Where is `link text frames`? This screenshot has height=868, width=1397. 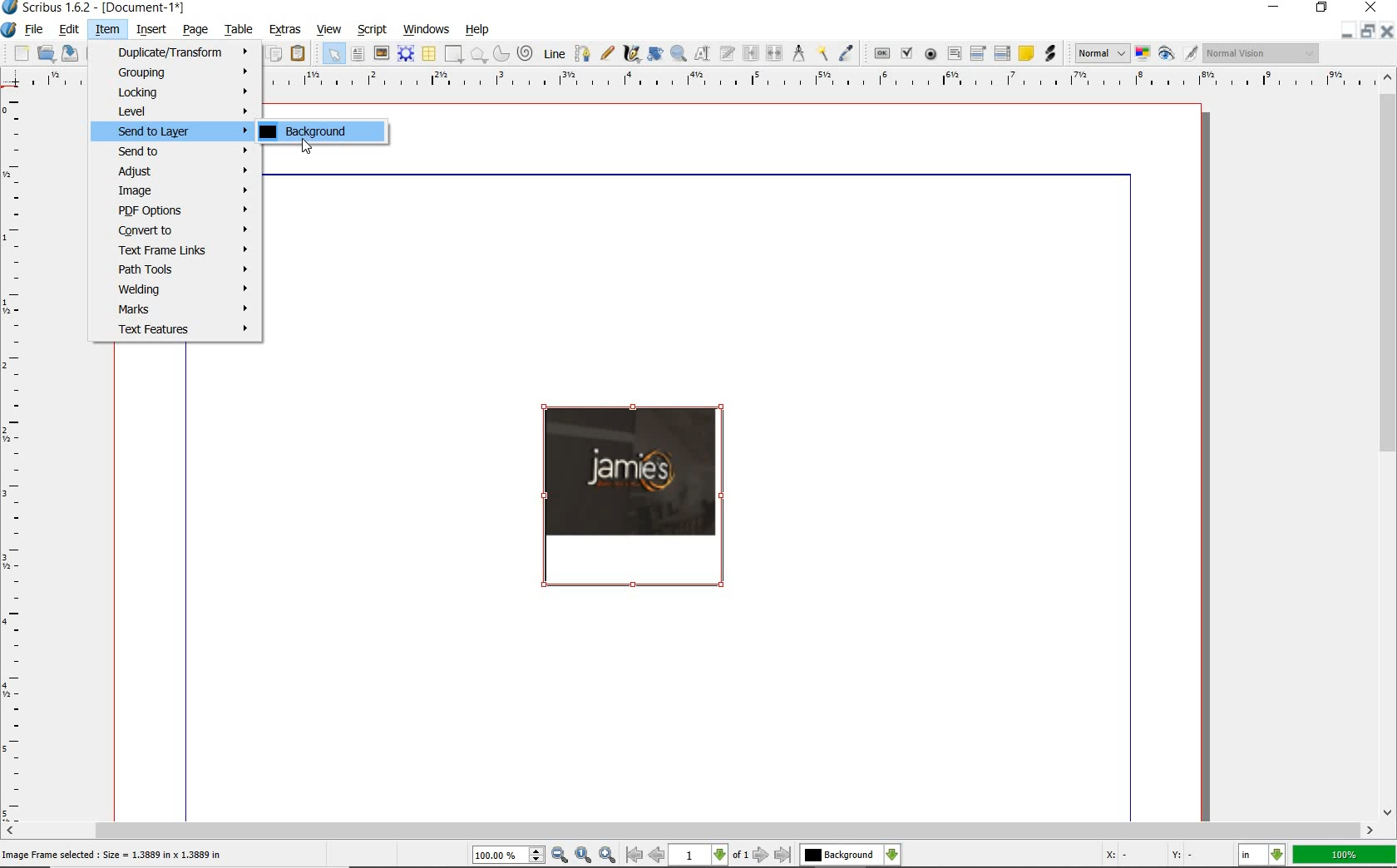
link text frames is located at coordinates (753, 52).